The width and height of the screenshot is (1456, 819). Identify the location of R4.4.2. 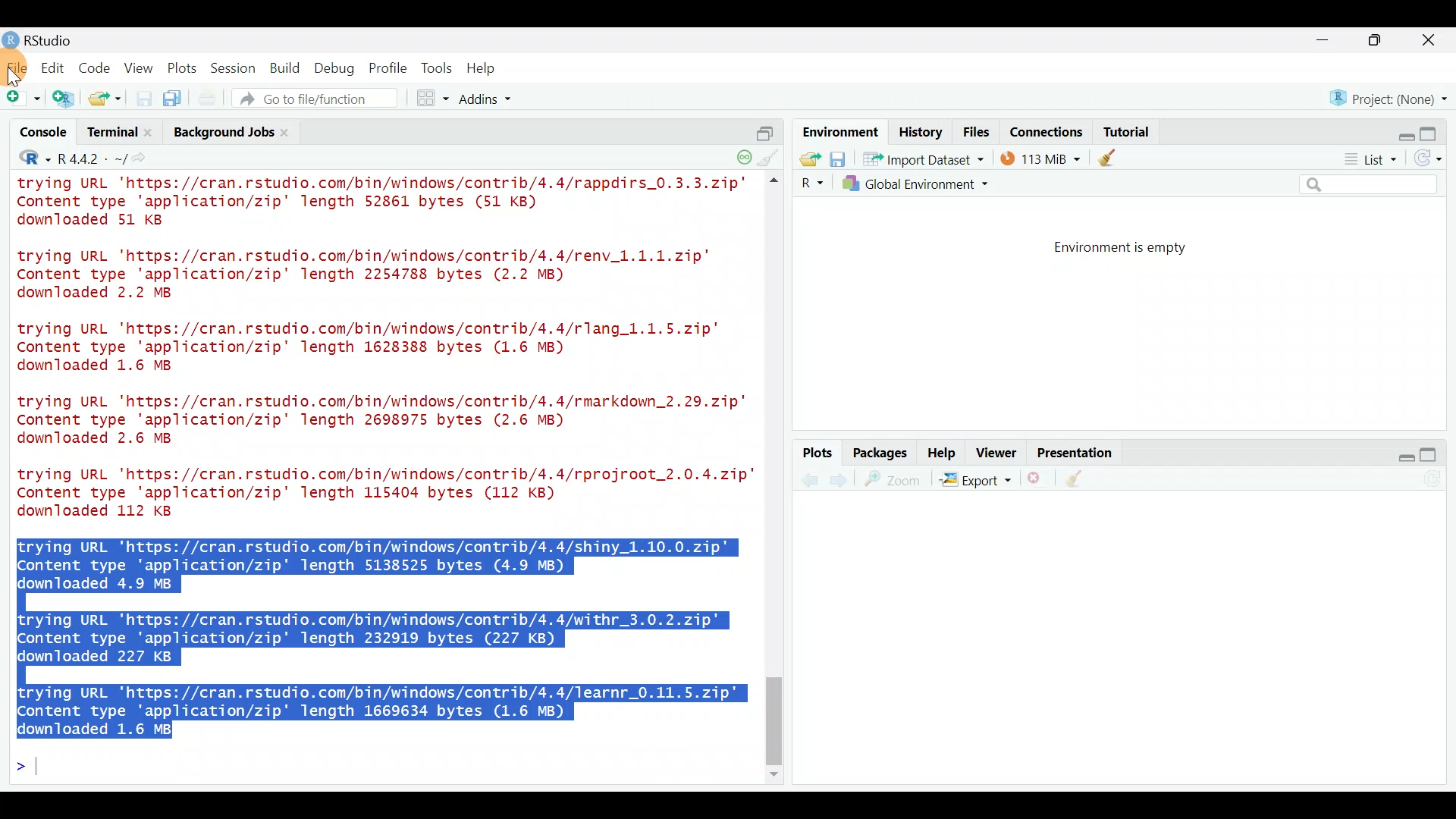
(91, 158).